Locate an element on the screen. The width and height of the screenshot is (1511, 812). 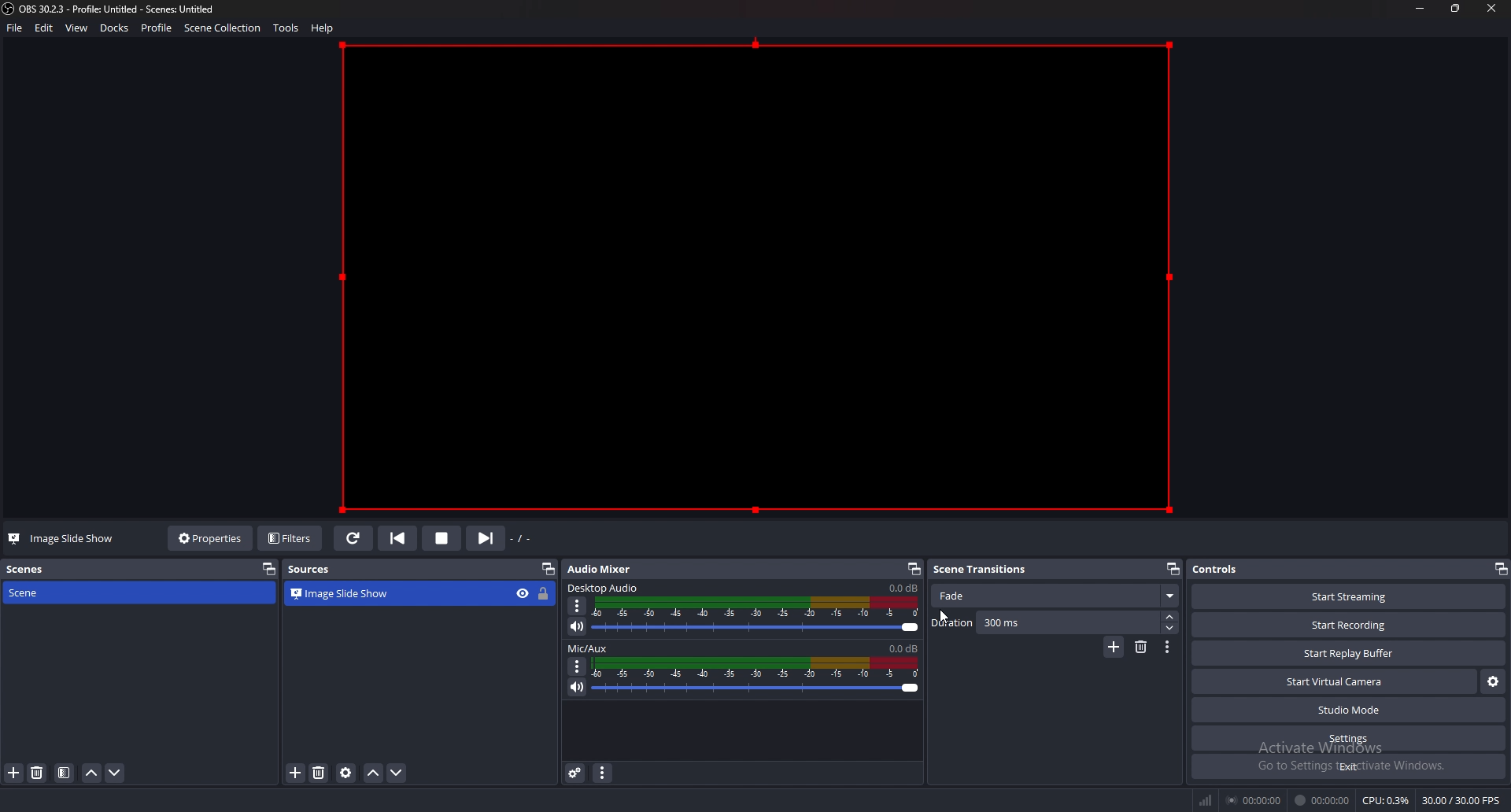
popout is located at coordinates (548, 569).